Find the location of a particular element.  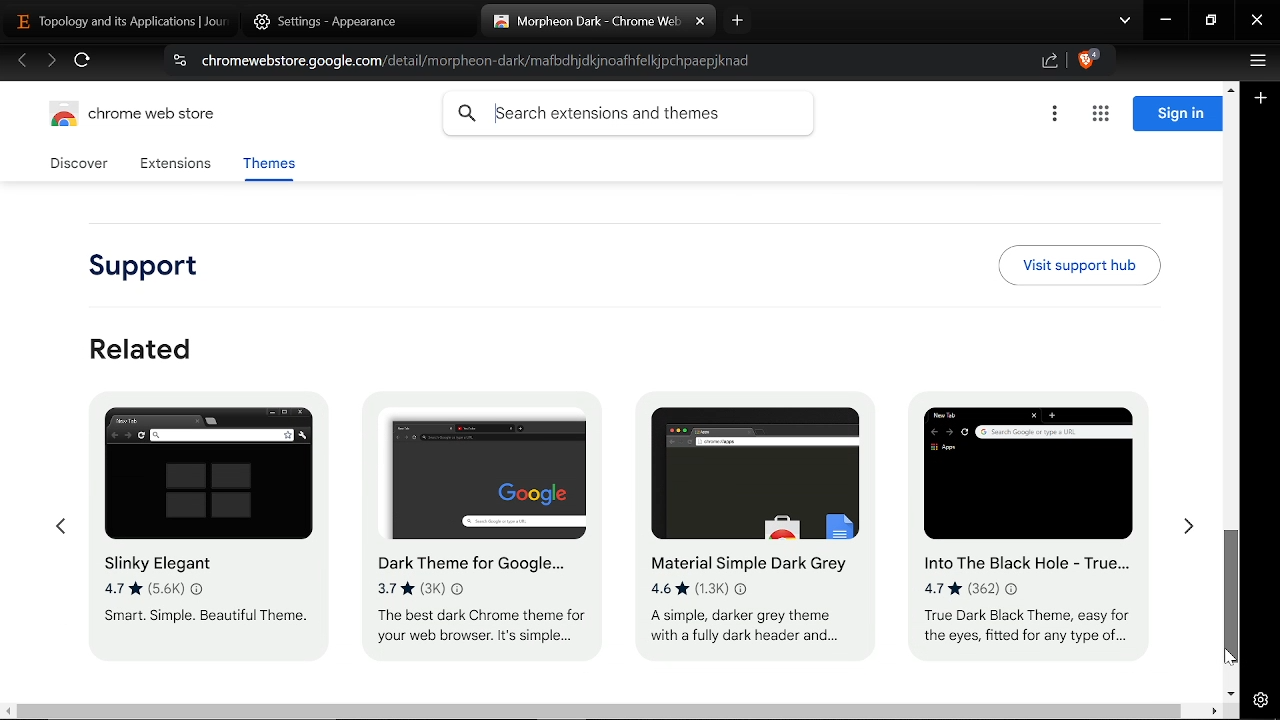

Close current tab is located at coordinates (700, 22).